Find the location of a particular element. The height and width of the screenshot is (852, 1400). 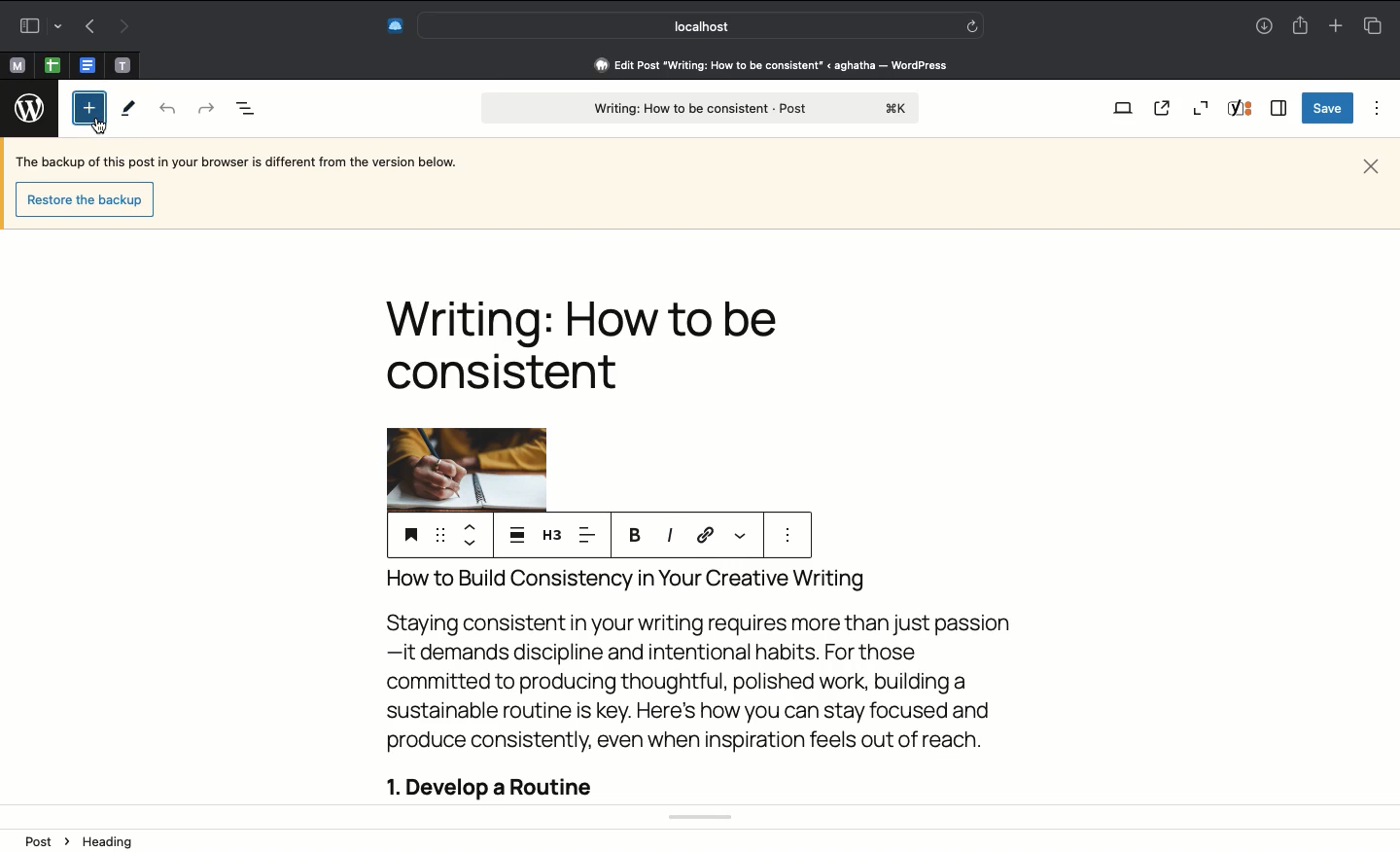

Yoast is located at coordinates (706, 819).